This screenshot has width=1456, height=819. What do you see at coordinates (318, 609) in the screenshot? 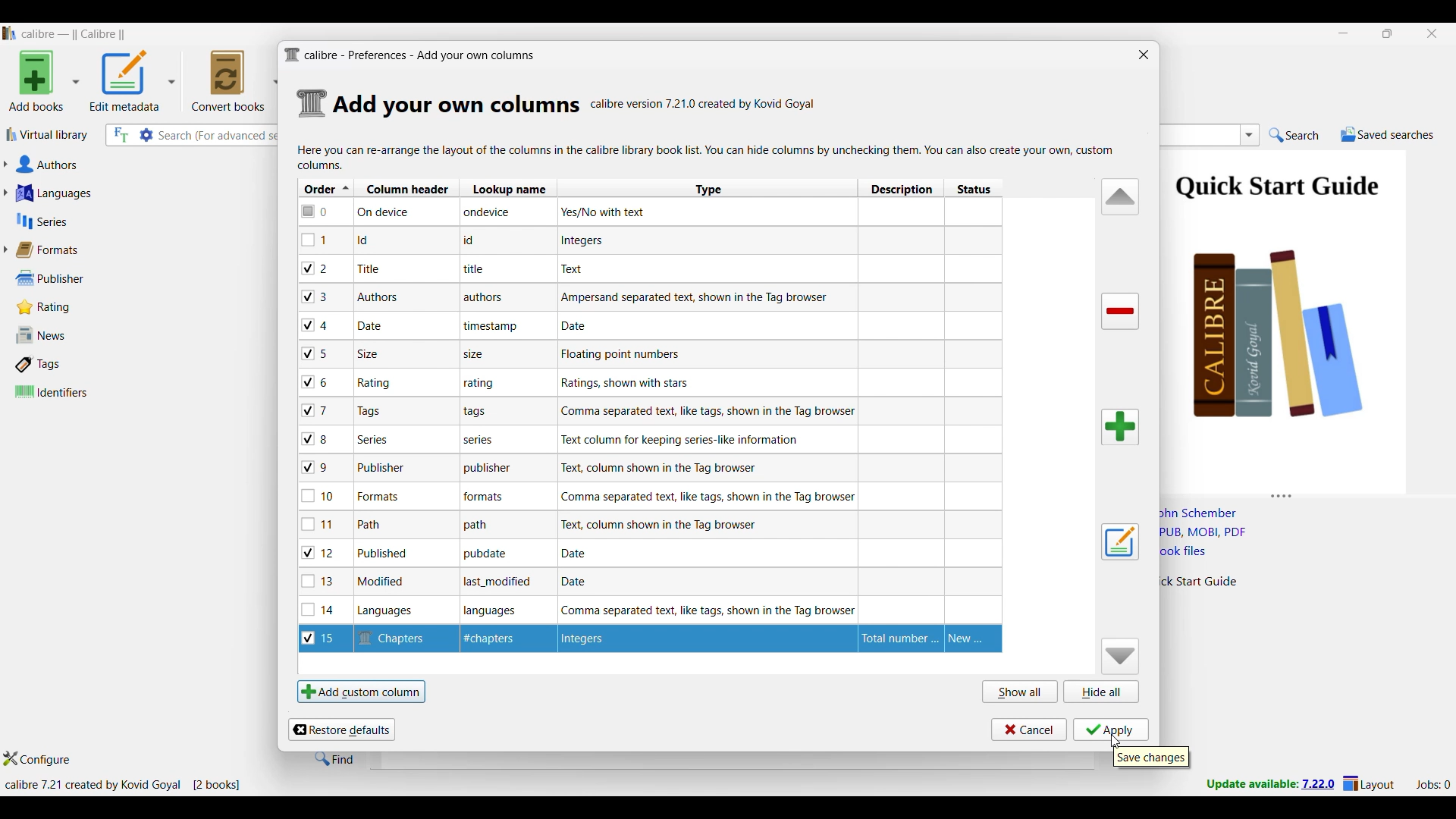
I see `checkbox - 14` at bounding box center [318, 609].